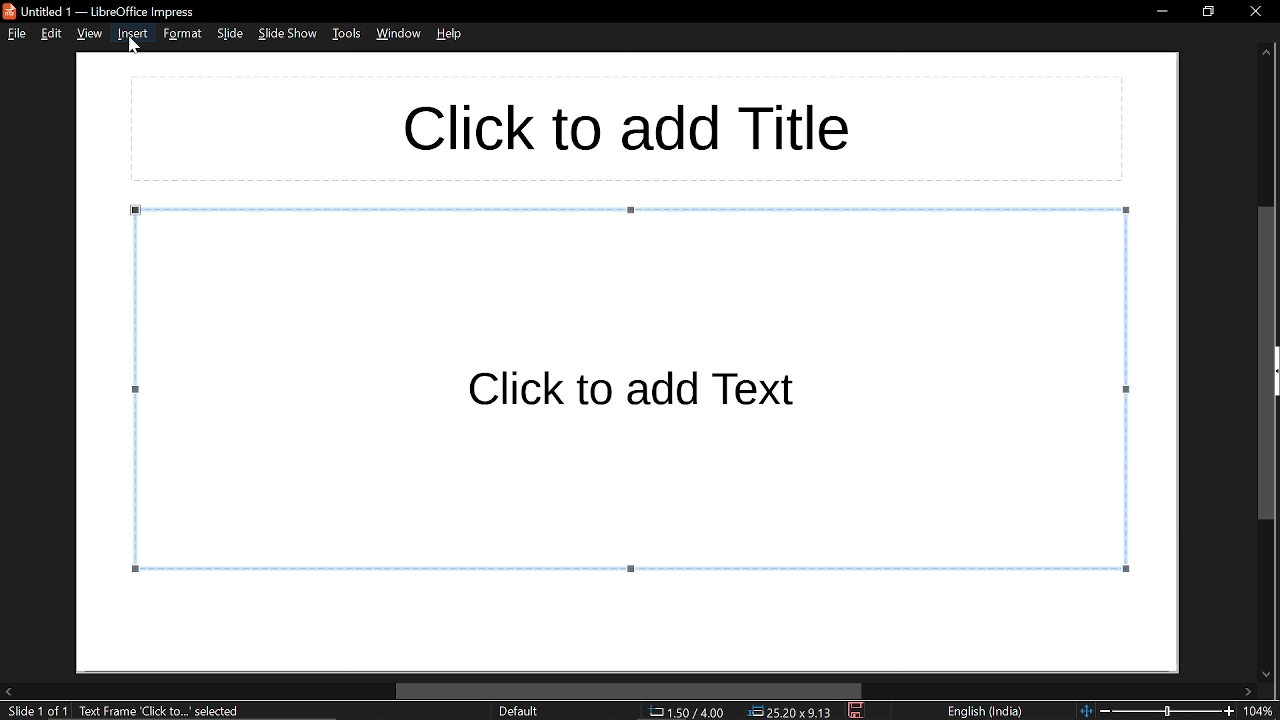 The height and width of the screenshot is (720, 1280). What do you see at coordinates (134, 51) in the screenshot?
I see `cursor` at bounding box center [134, 51].